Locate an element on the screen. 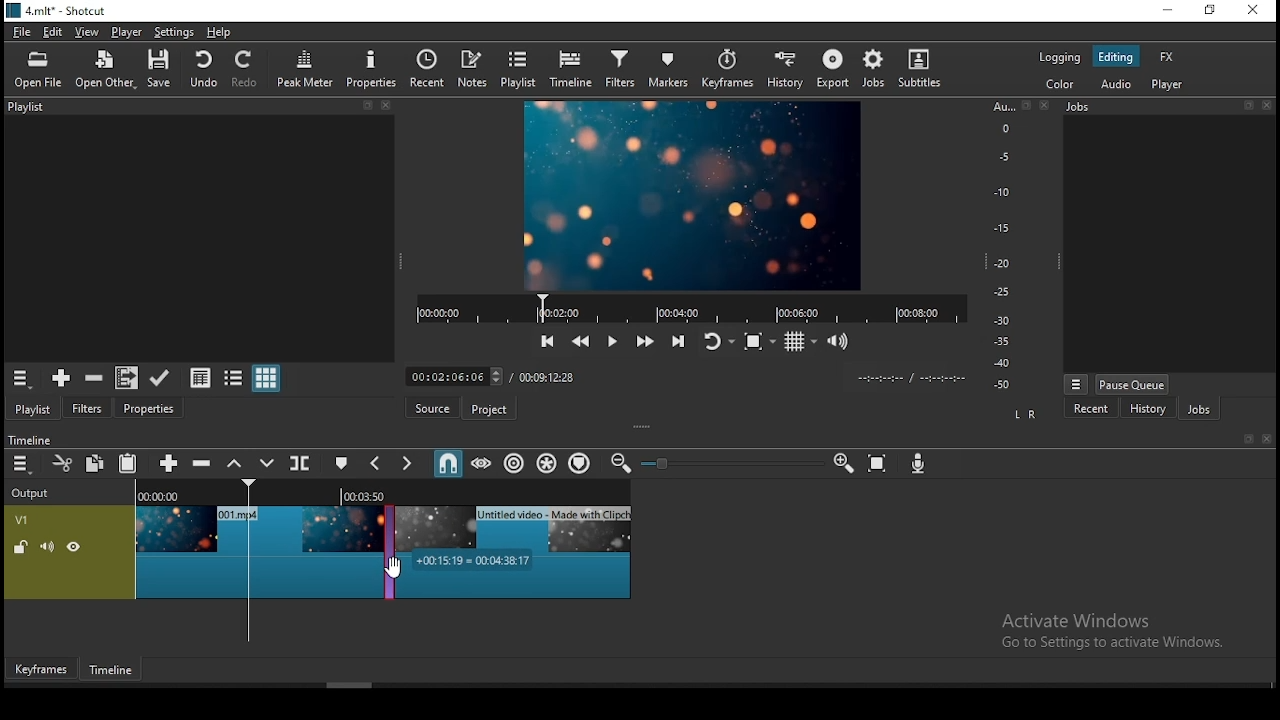  mouse pointer is located at coordinates (396, 570).